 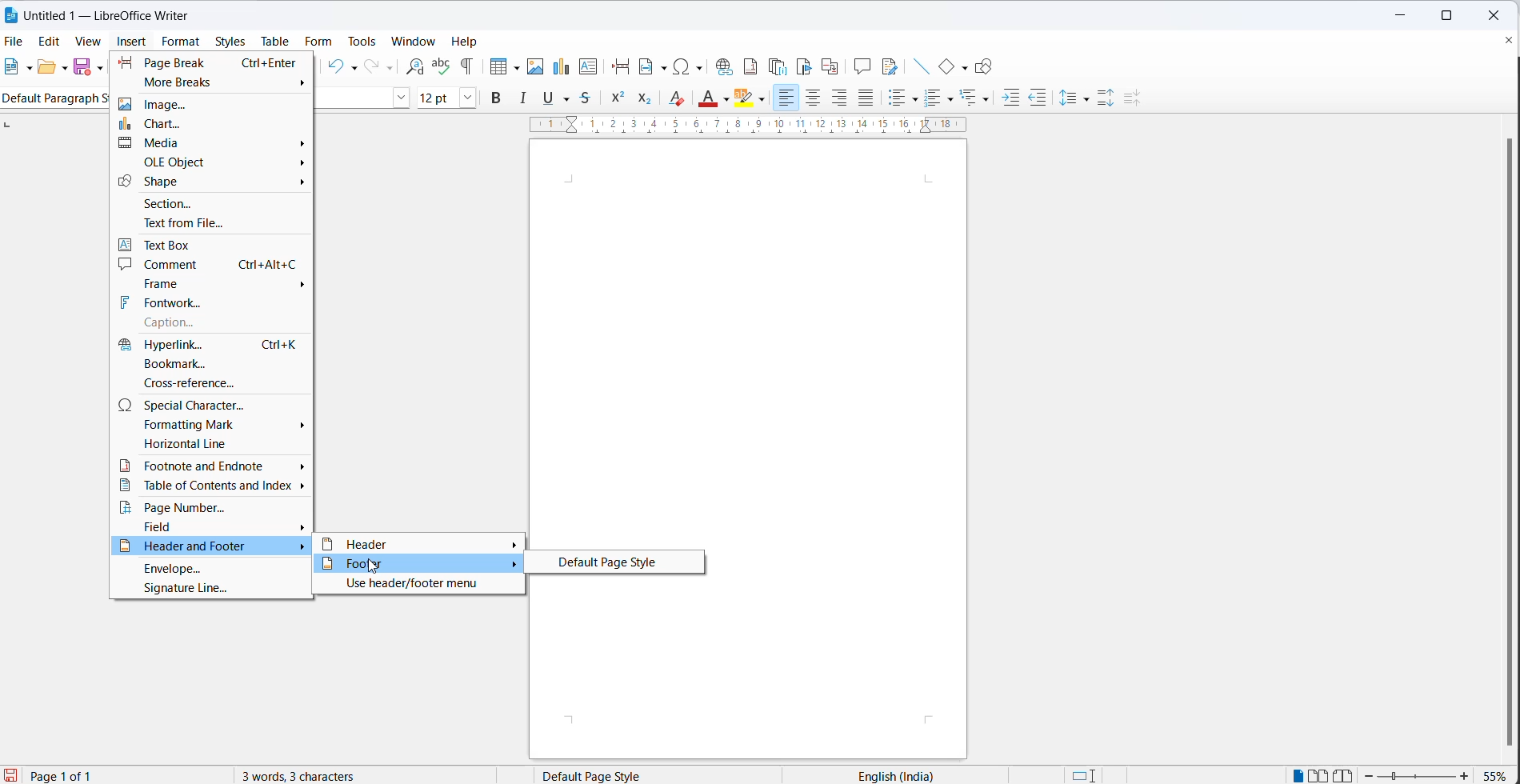 I want to click on insert chart, so click(x=563, y=67).